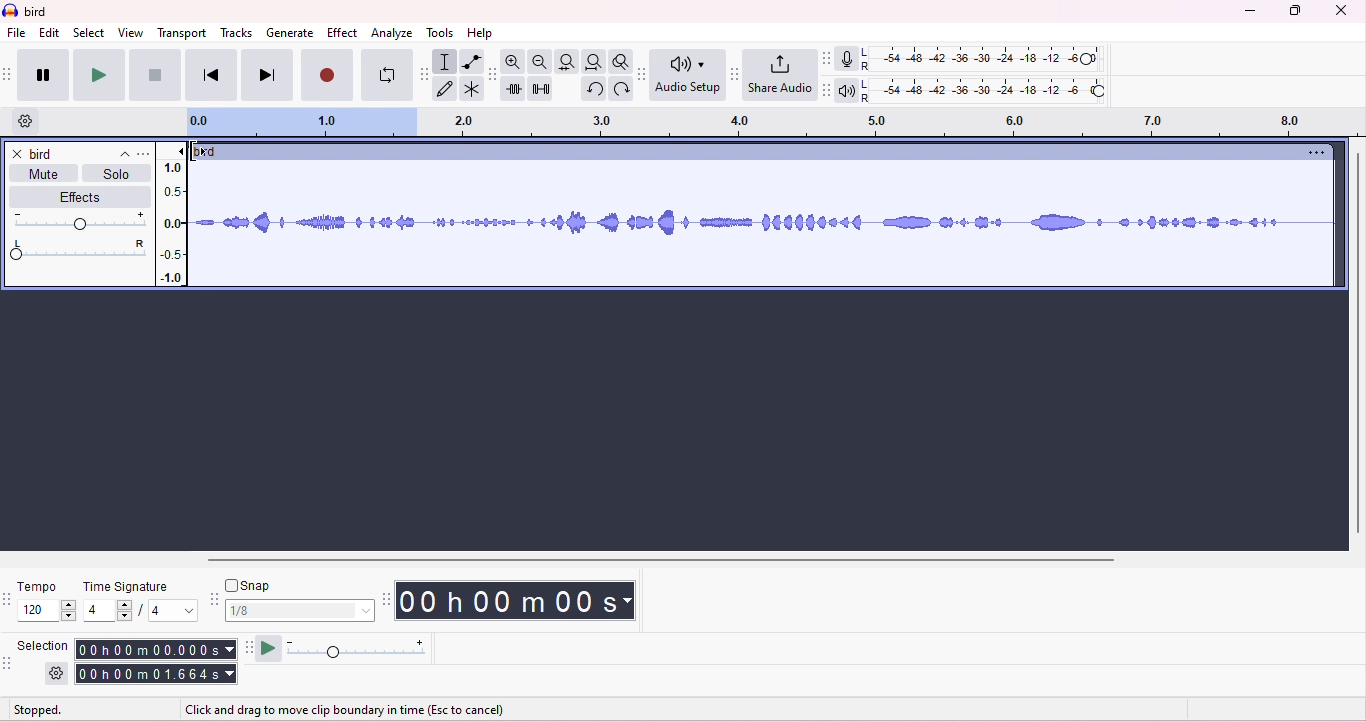 Image resolution: width=1366 pixels, height=722 pixels. Describe the element at coordinates (26, 121) in the screenshot. I see `timeline option` at that location.